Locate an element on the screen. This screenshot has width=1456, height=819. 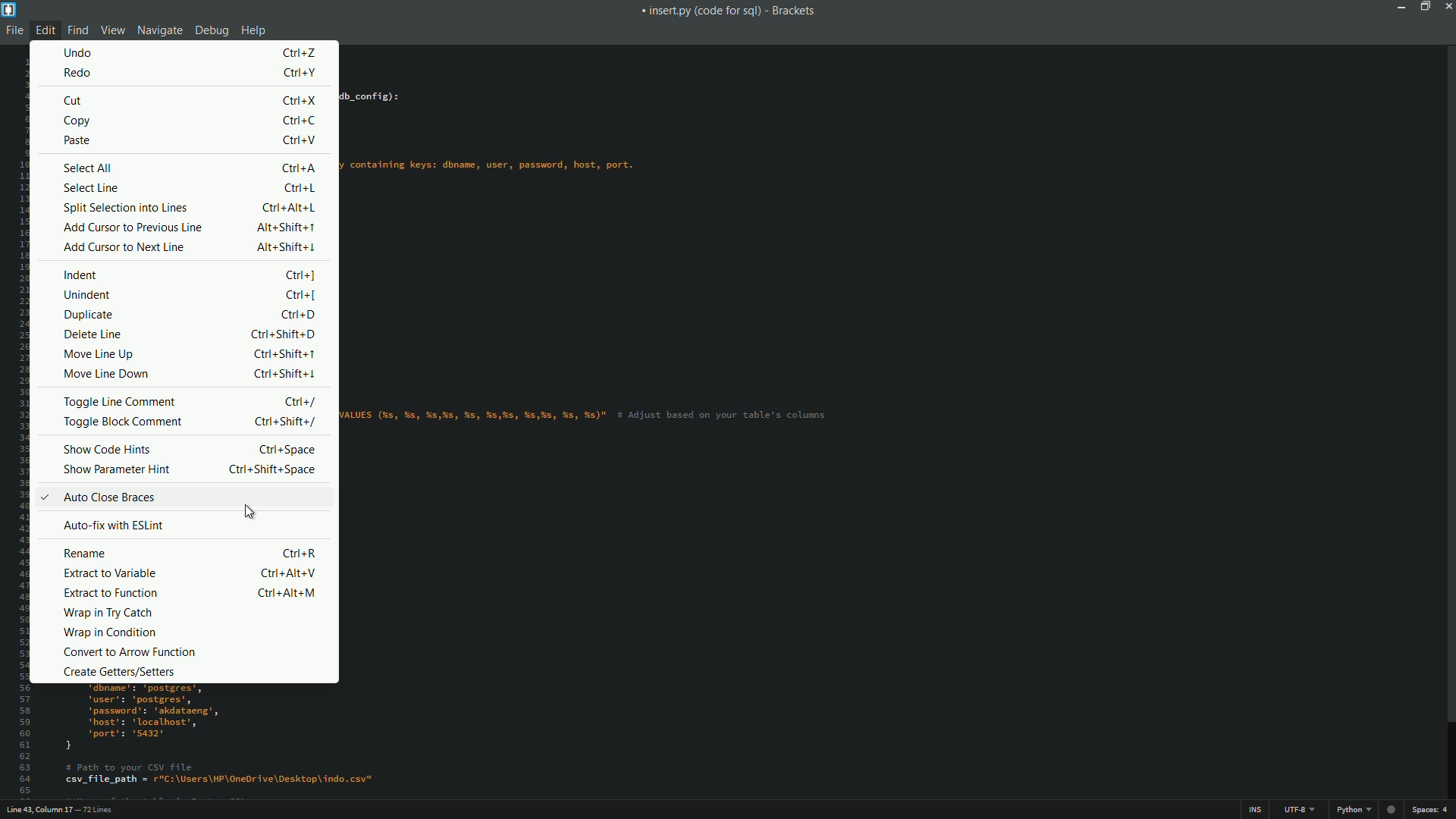
add cursor to previous line is located at coordinates (133, 227).